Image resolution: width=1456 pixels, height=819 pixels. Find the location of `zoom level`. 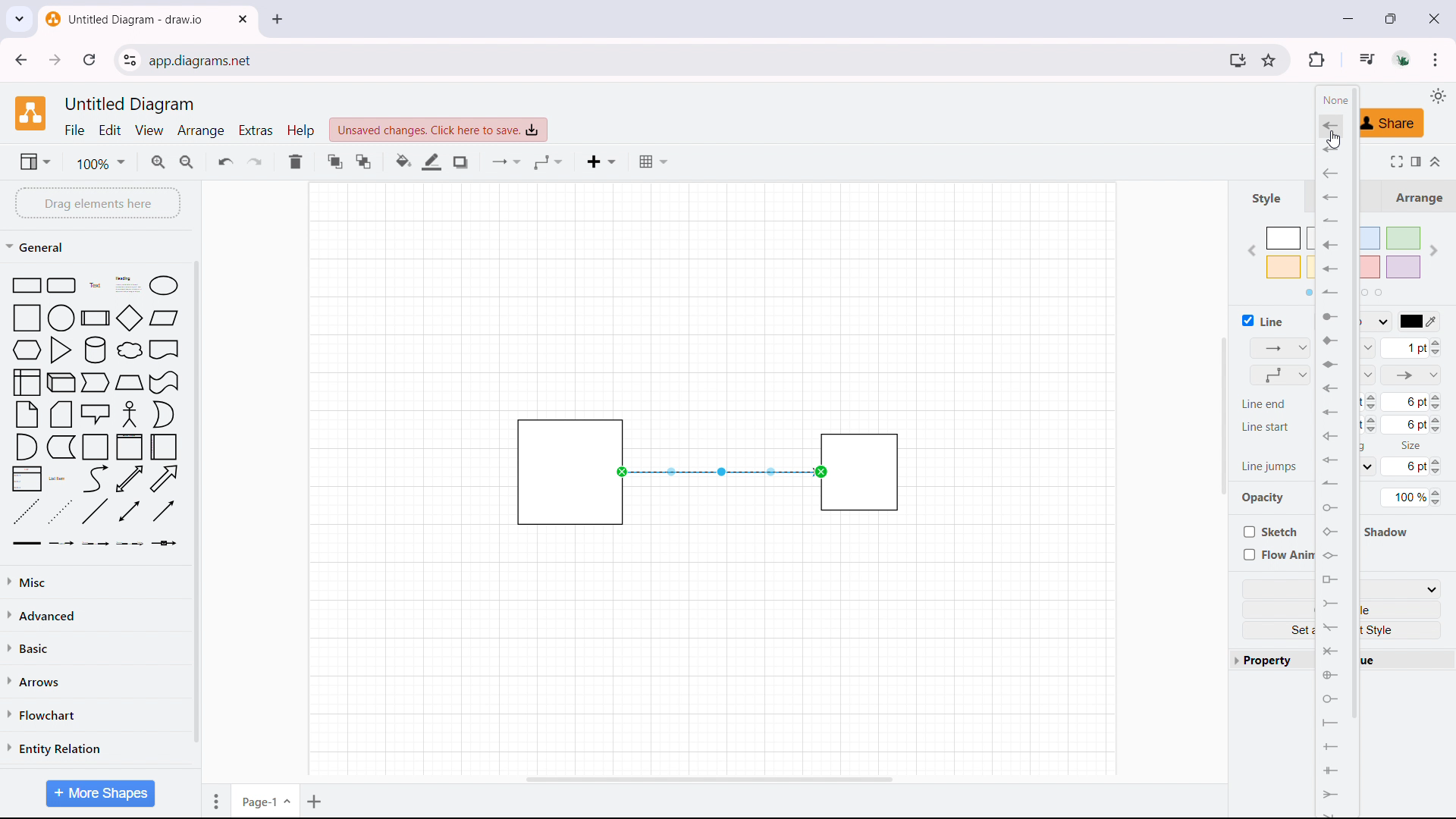

zoom level is located at coordinates (100, 163).